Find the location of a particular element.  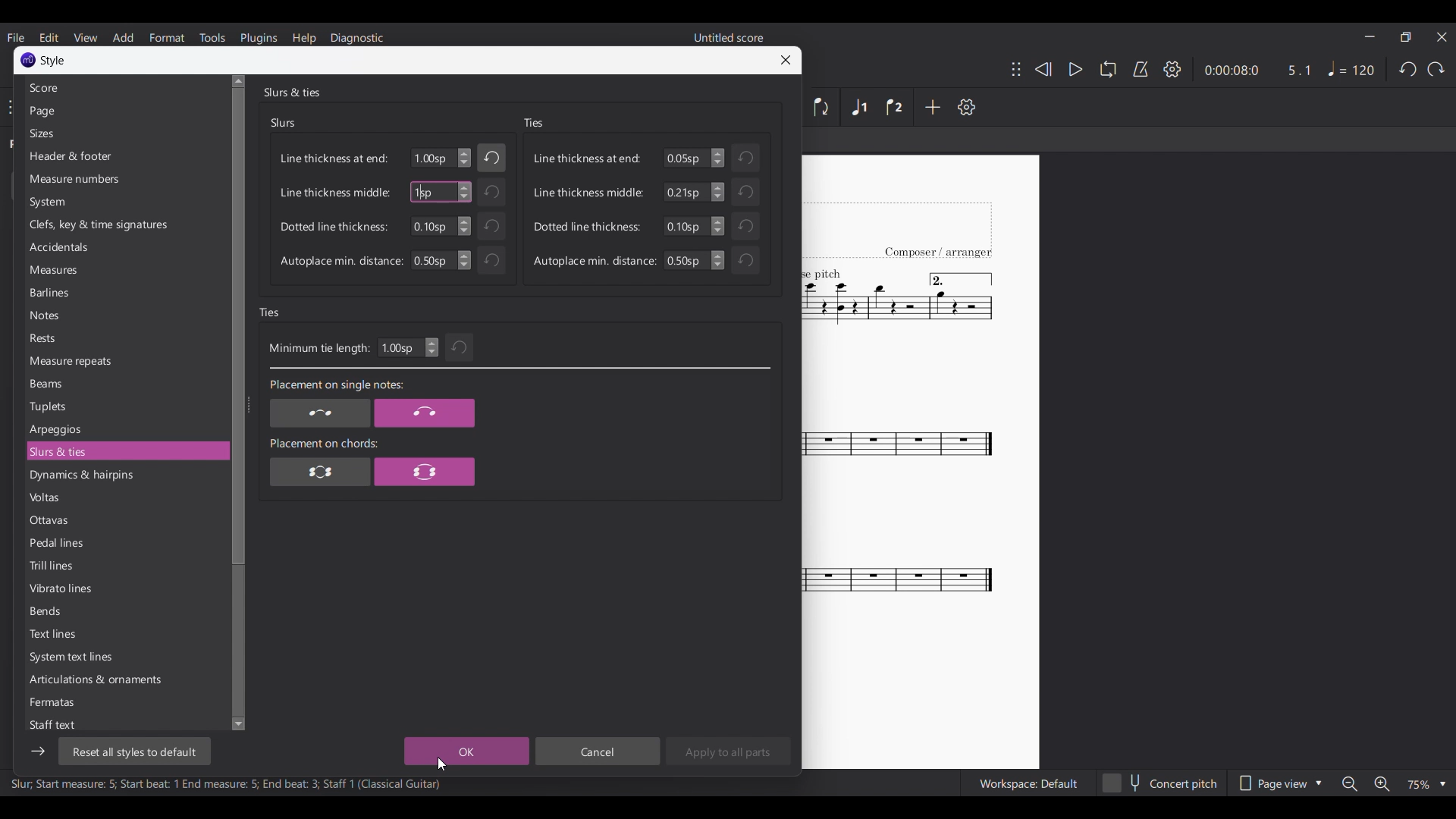

Zoom out is located at coordinates (1350, 783).